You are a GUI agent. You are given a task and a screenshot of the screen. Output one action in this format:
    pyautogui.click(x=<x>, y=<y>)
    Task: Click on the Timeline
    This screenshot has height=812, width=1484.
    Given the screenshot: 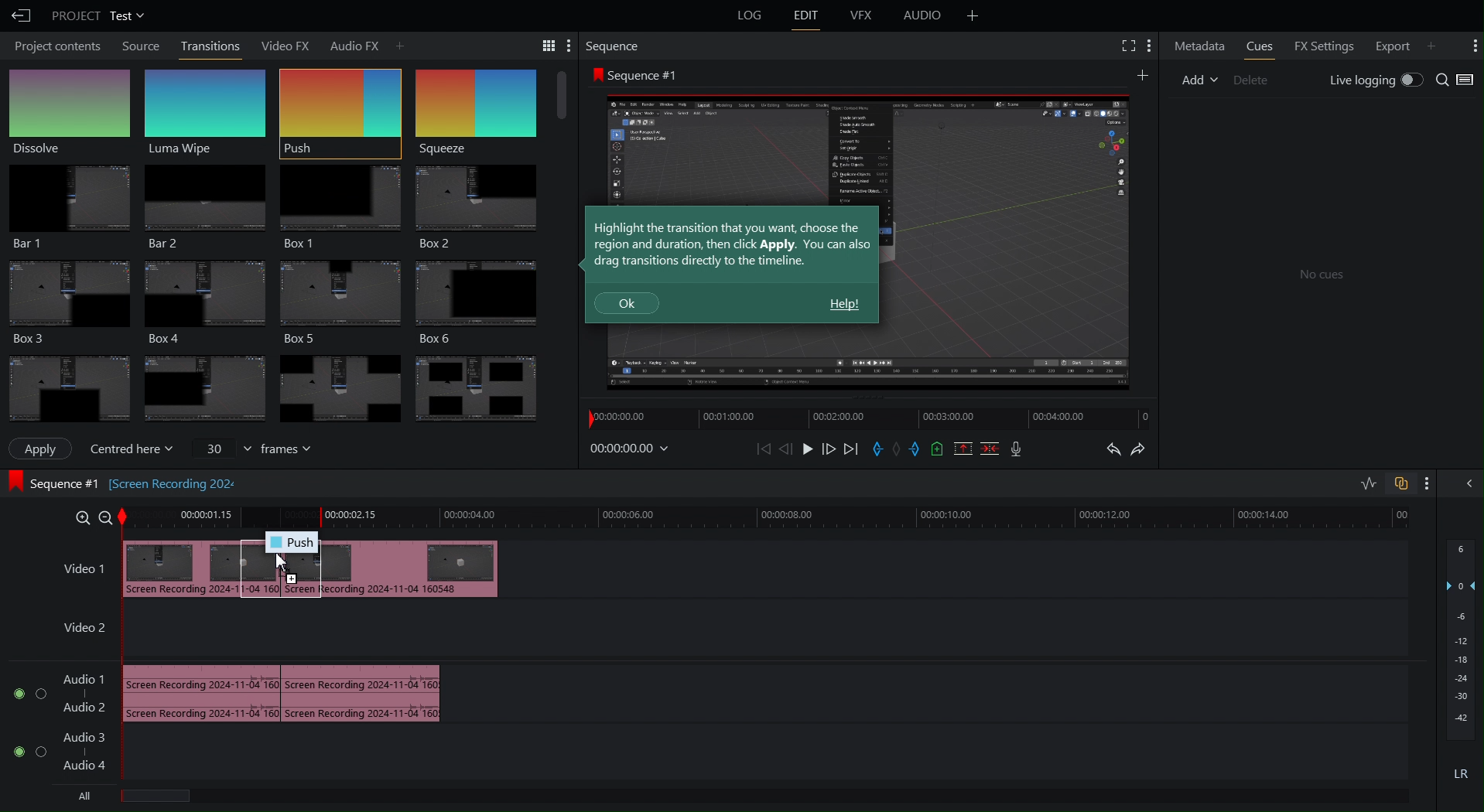 What is the action you would take?
    pyautogui.click(x=774, y=517)
    